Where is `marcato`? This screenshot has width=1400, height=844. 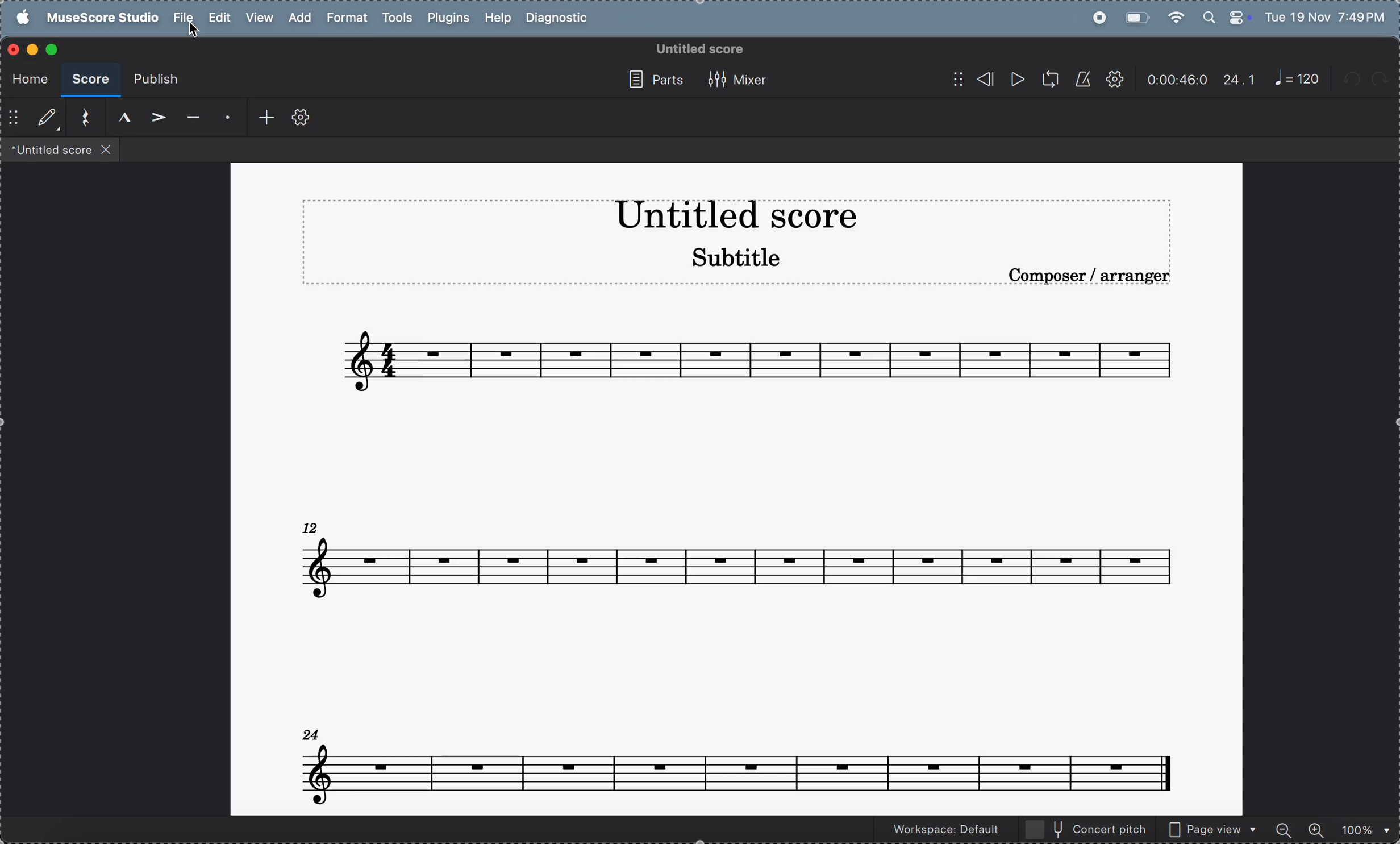 marcato is located at coordinates (119, 118).